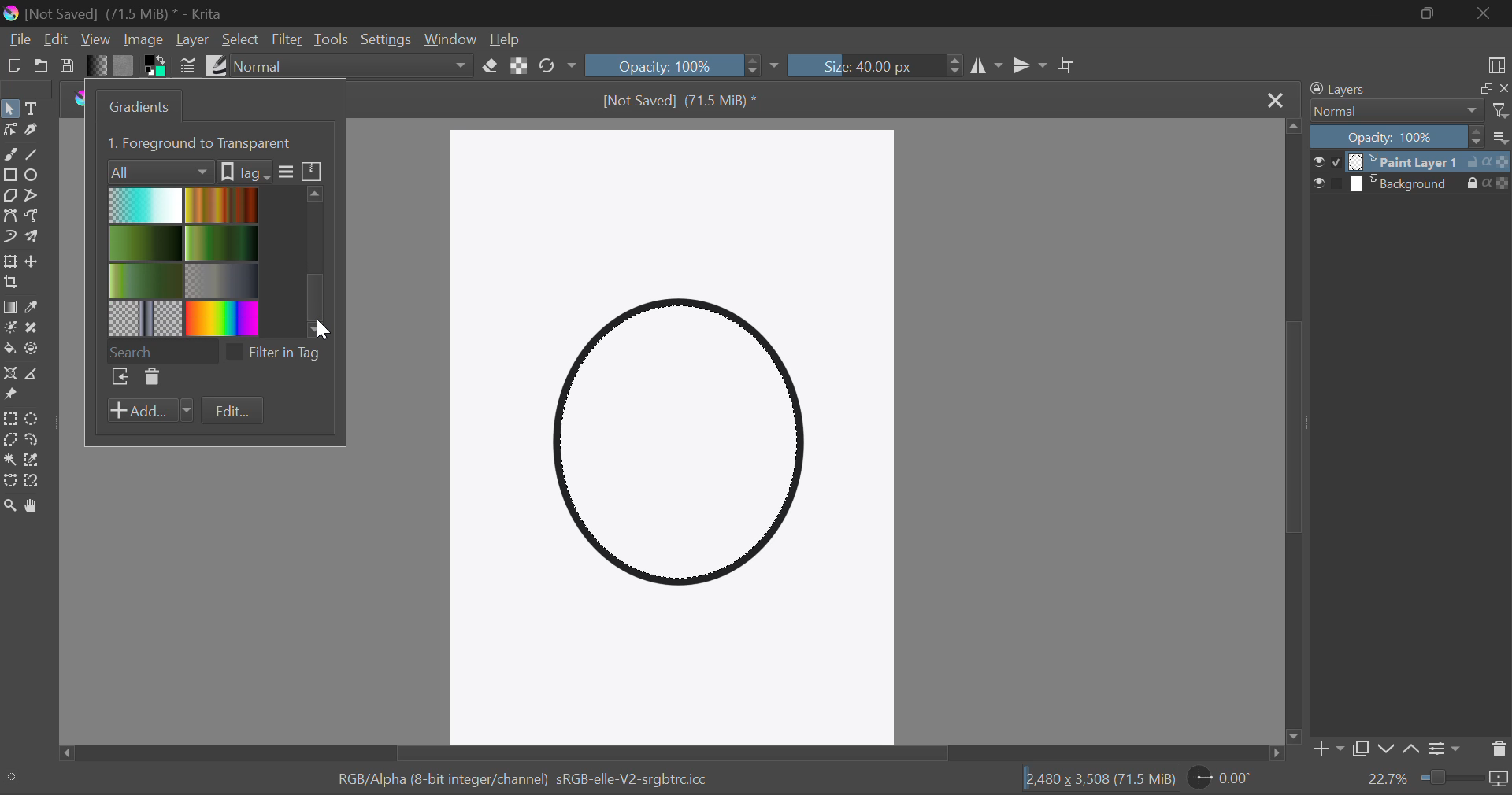  What do you see at coordinates (1500, 138) in the screenshot?
I see `more` at bounding box center [1500, 138].